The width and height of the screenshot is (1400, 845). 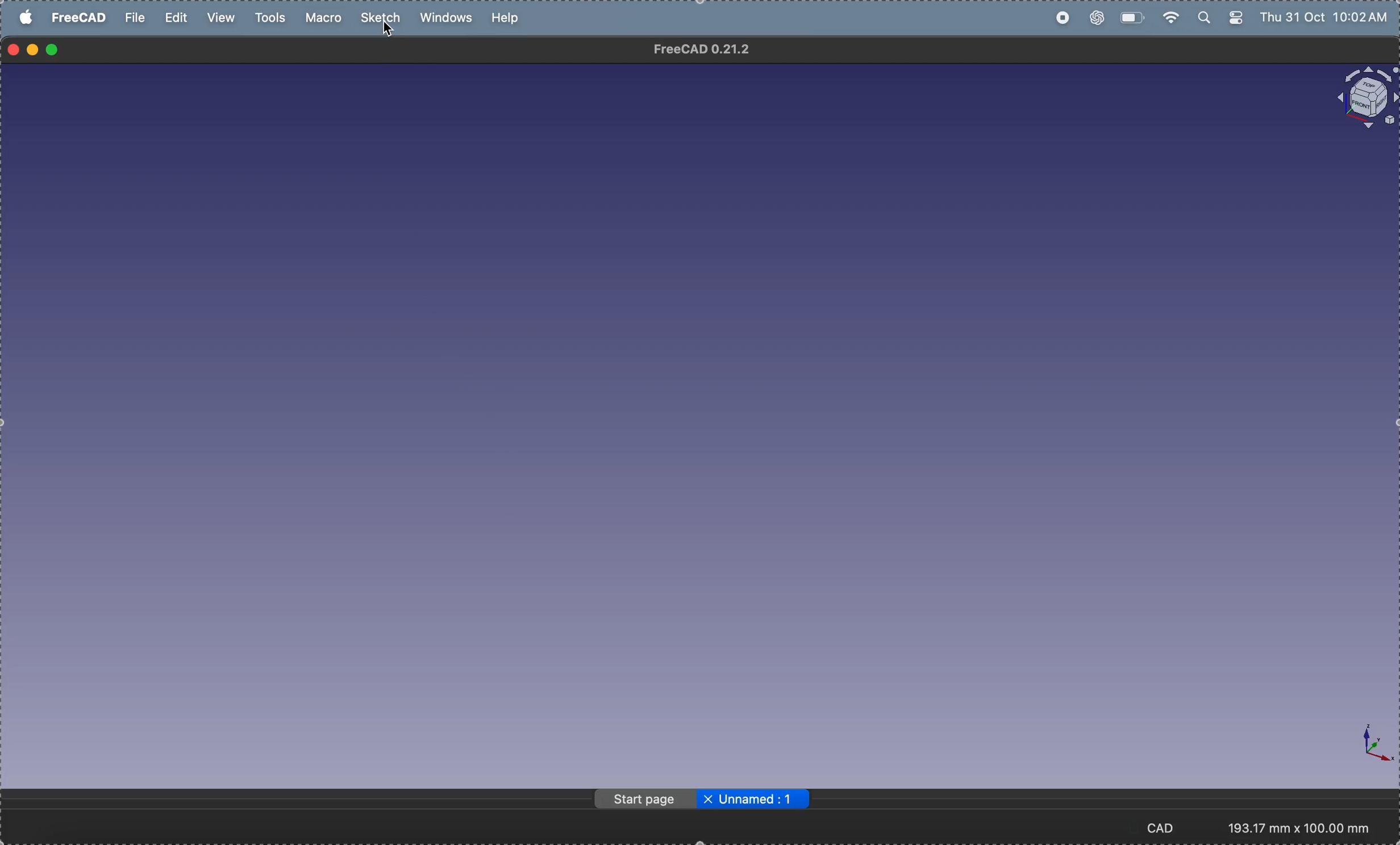 I want to click on page start, so click(x=644, y=799).